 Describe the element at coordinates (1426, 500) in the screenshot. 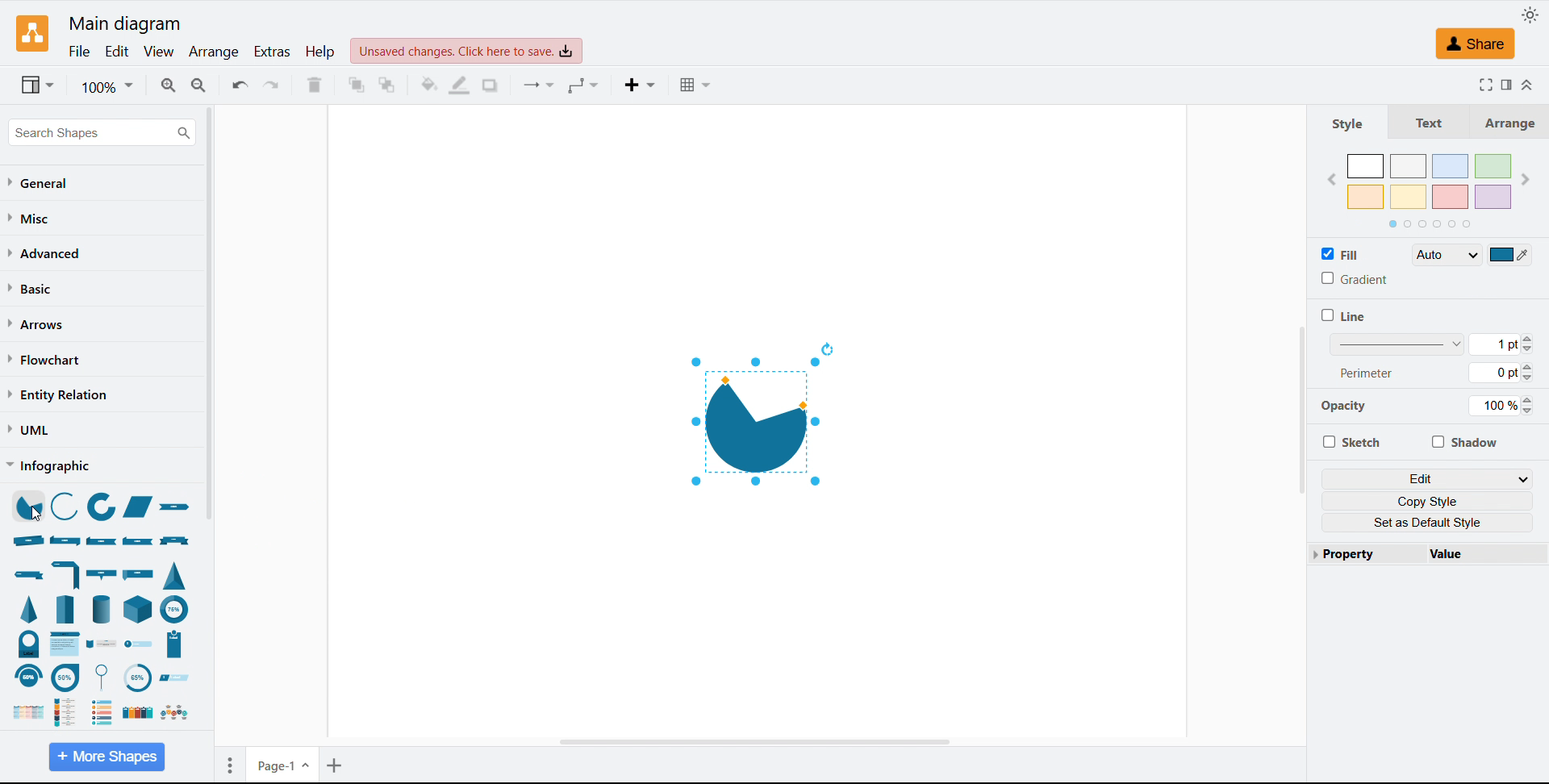

I see `Copy style ` at that location.